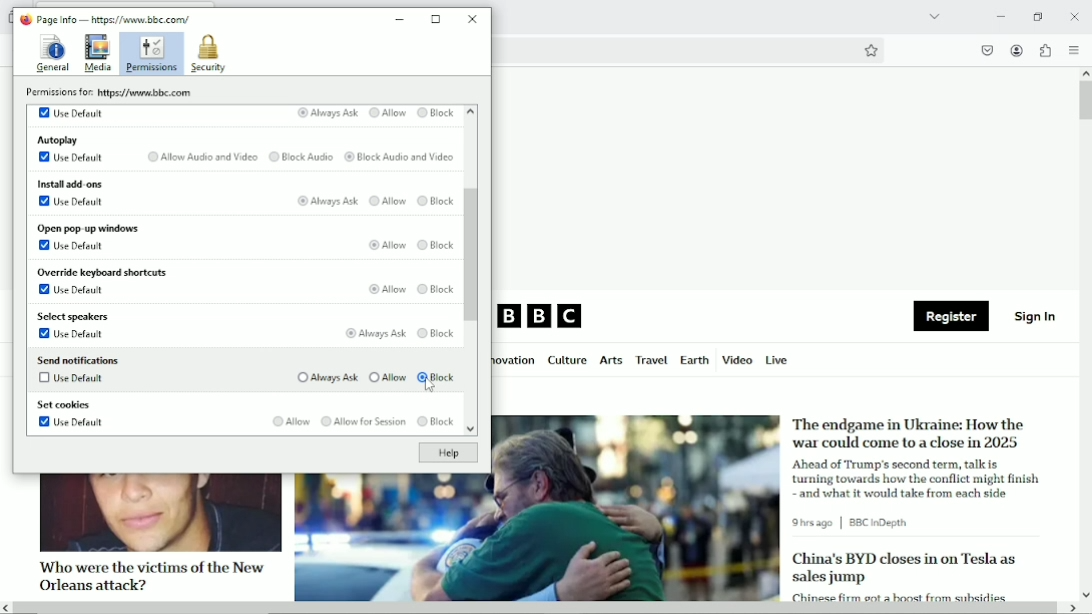 This screenshot has width=1092, height=614. Describe the element at coordinates (470, 112) in the screenshot. I see `scroll up` at that location.